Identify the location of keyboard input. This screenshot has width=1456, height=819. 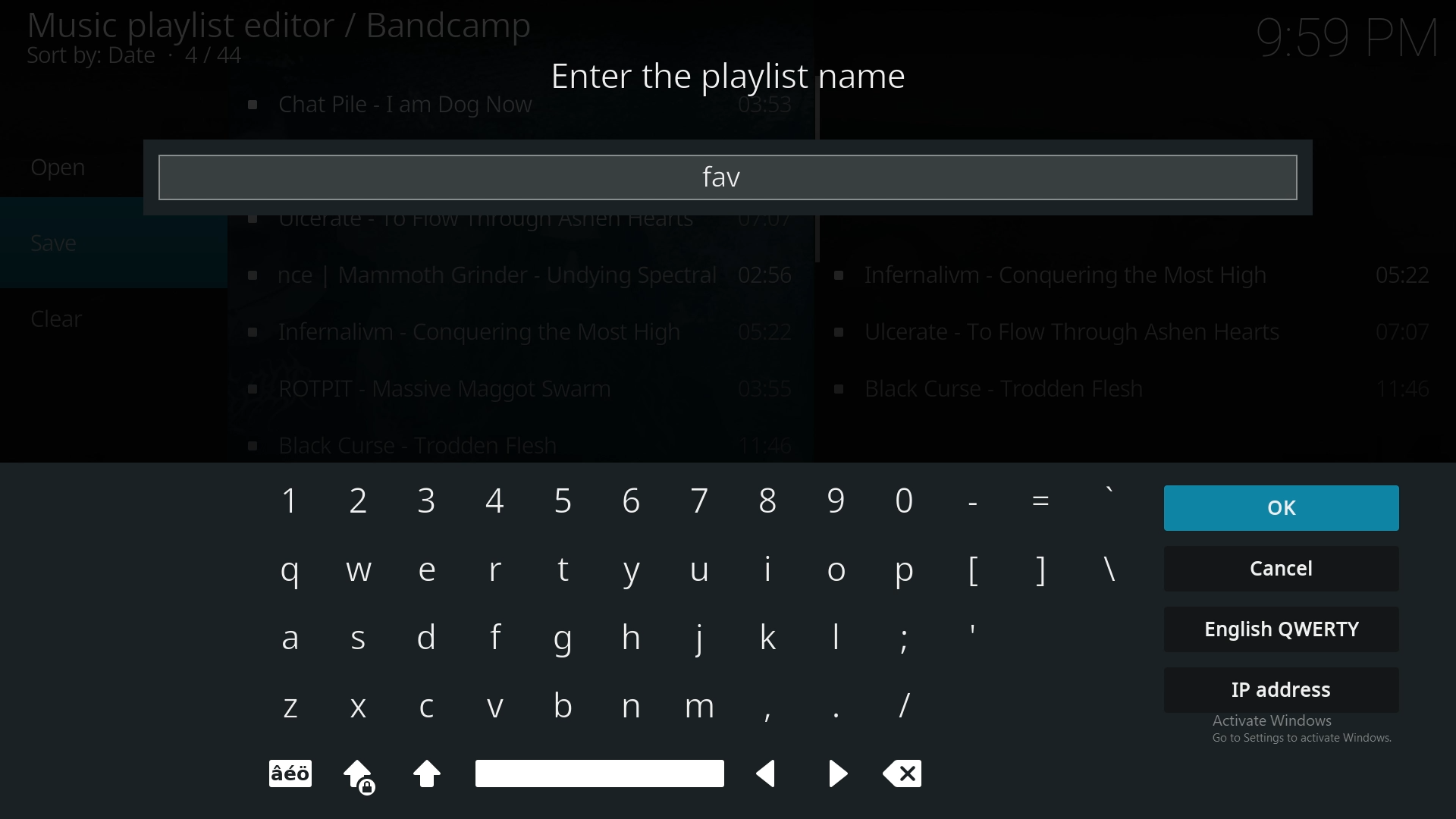
(702, 642).